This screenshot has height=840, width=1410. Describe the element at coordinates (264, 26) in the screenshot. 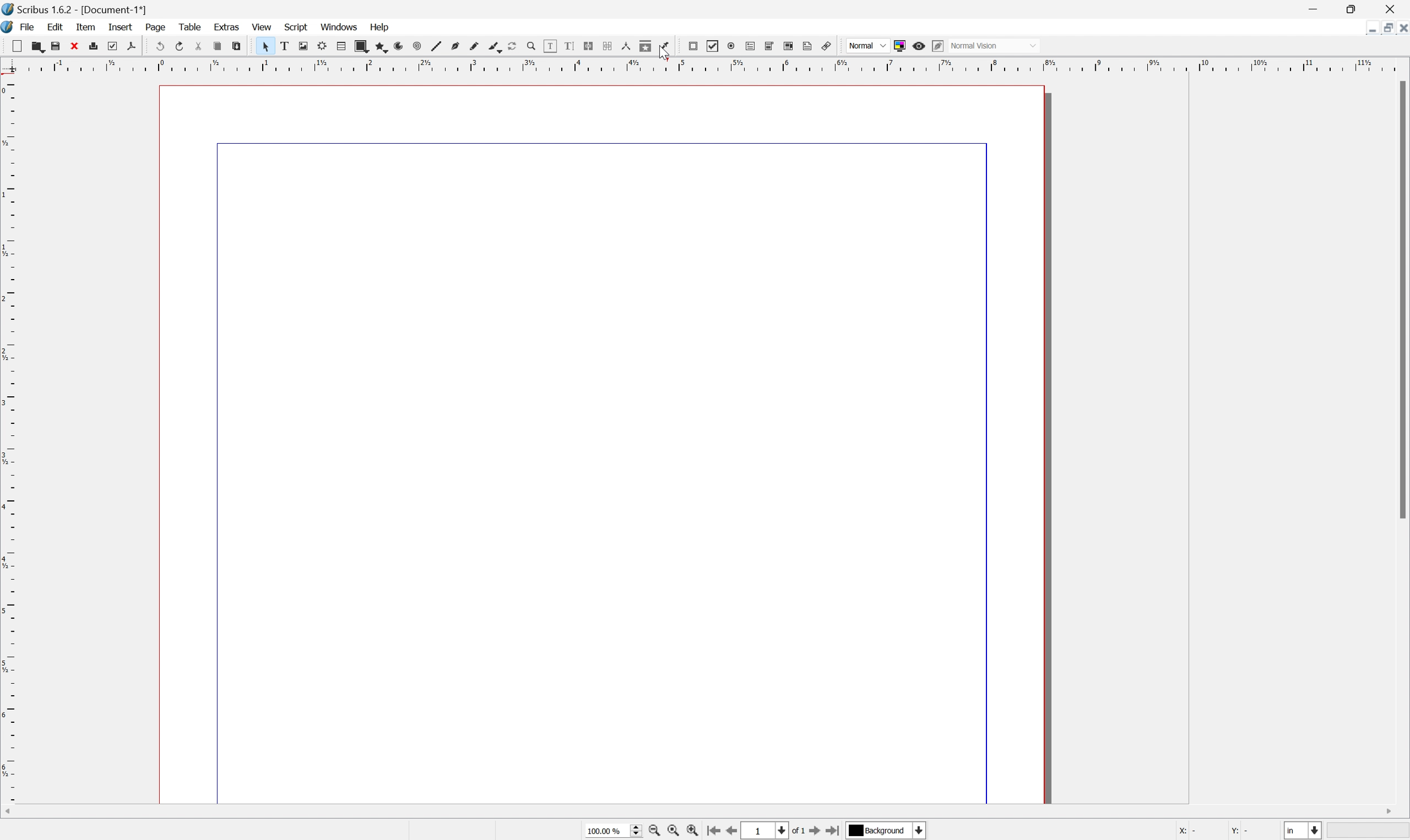

I see `view` at that location.